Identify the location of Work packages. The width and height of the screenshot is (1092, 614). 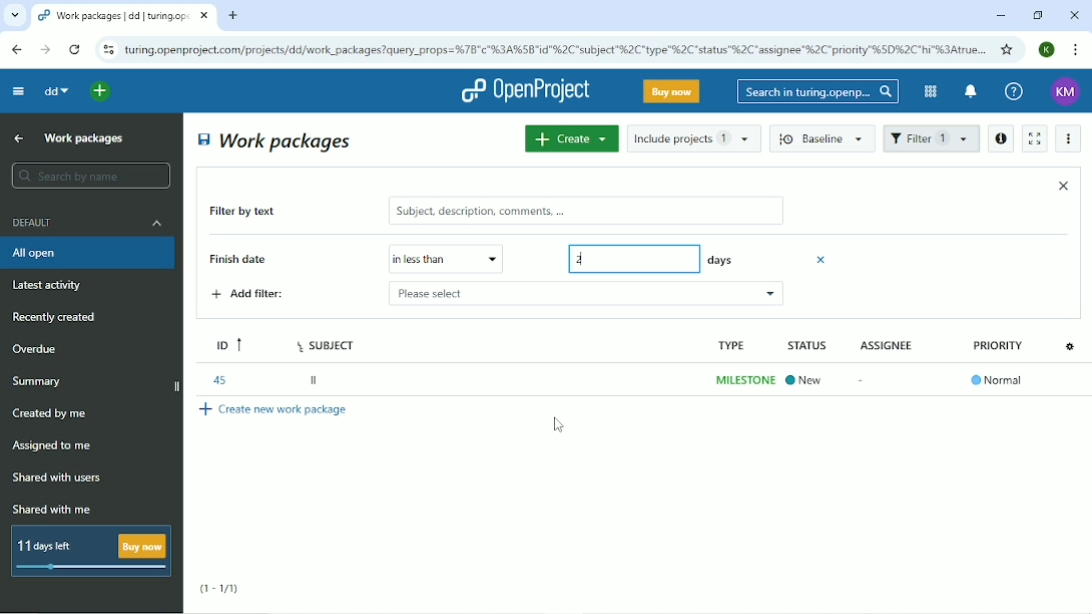
(276, 140).